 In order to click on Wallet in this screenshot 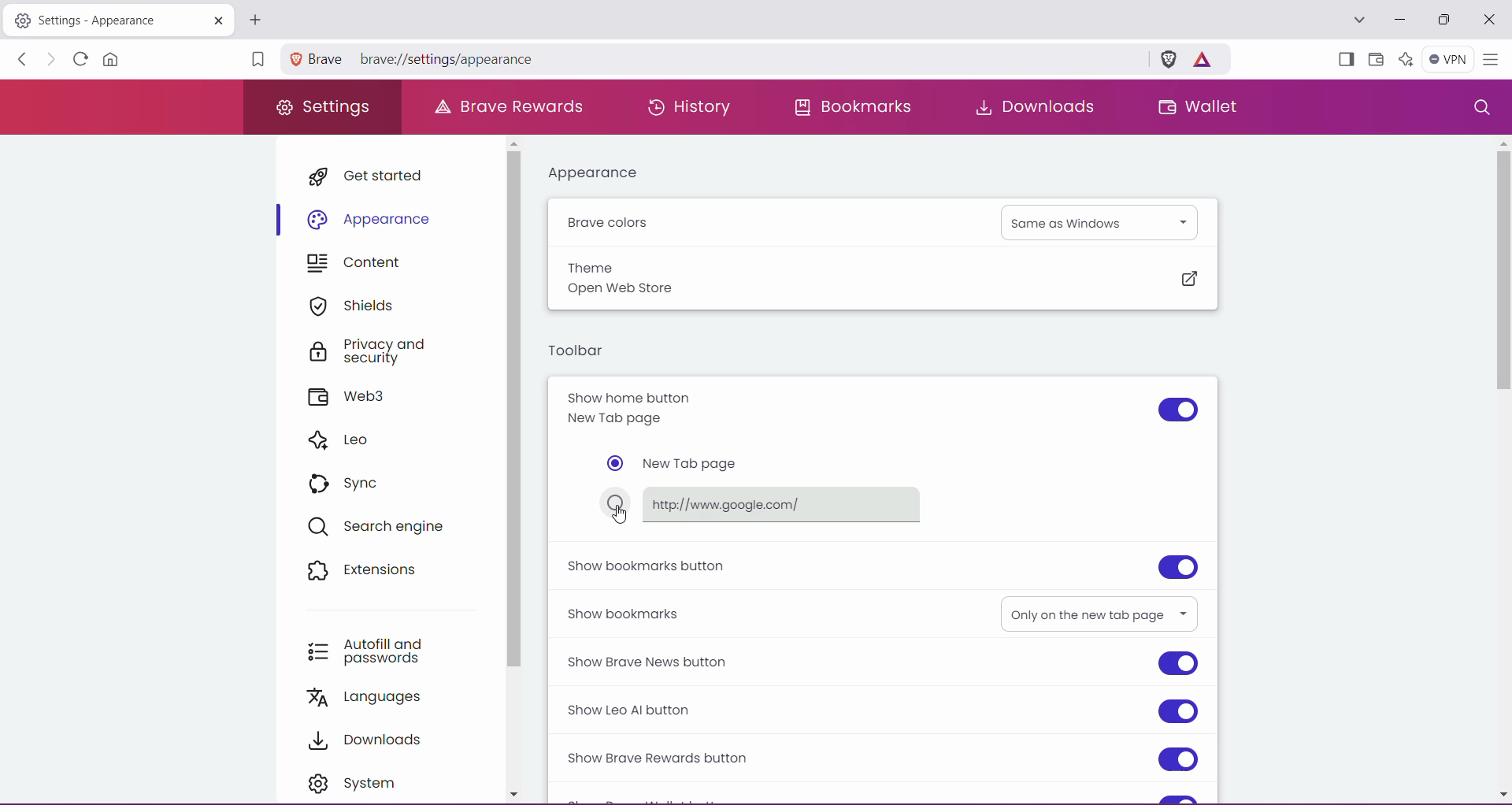, I will do `click(1375, 60)`.